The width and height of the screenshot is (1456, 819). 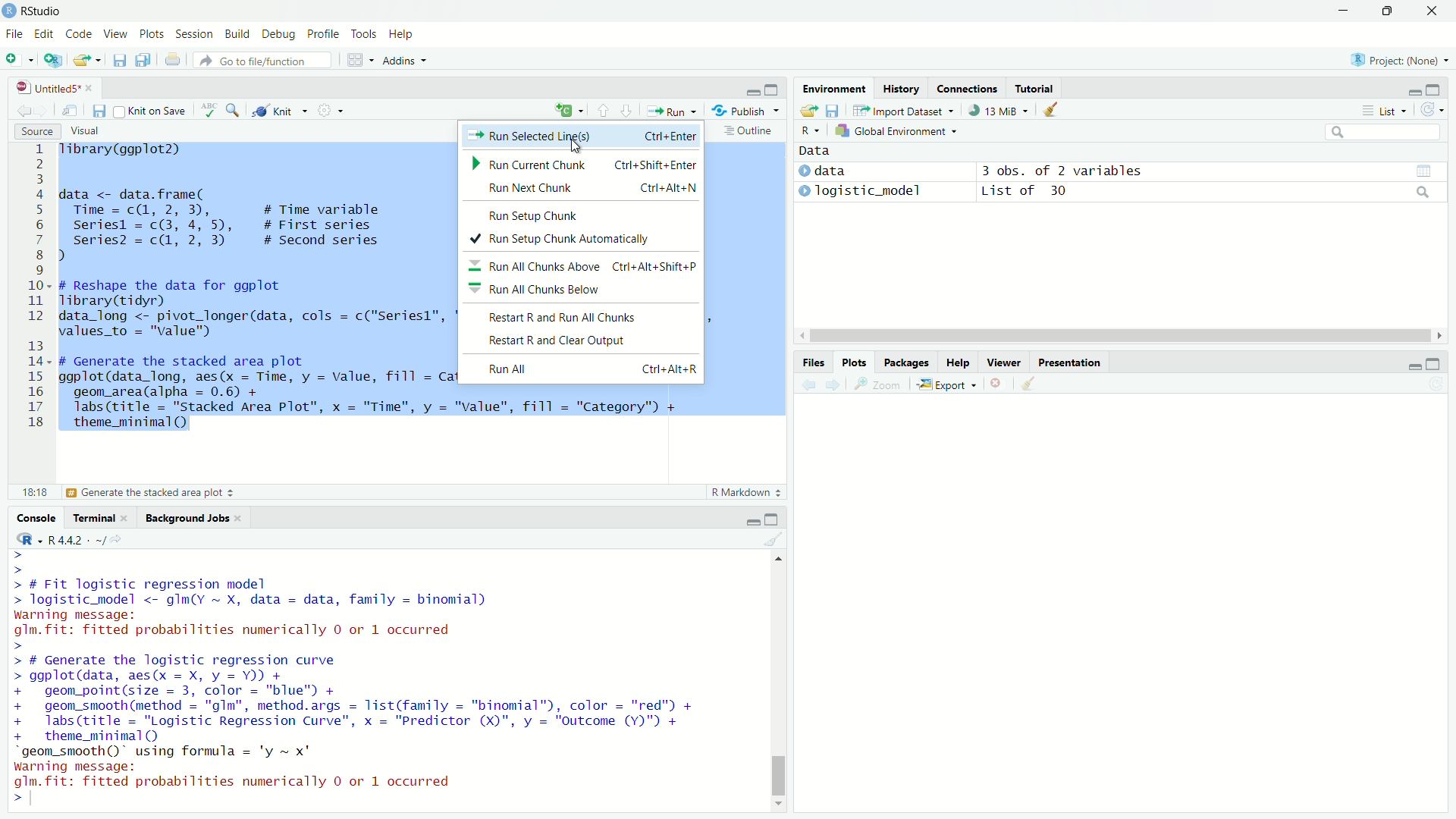 I want to click on Go to file/function, so click(x=265, y=60).